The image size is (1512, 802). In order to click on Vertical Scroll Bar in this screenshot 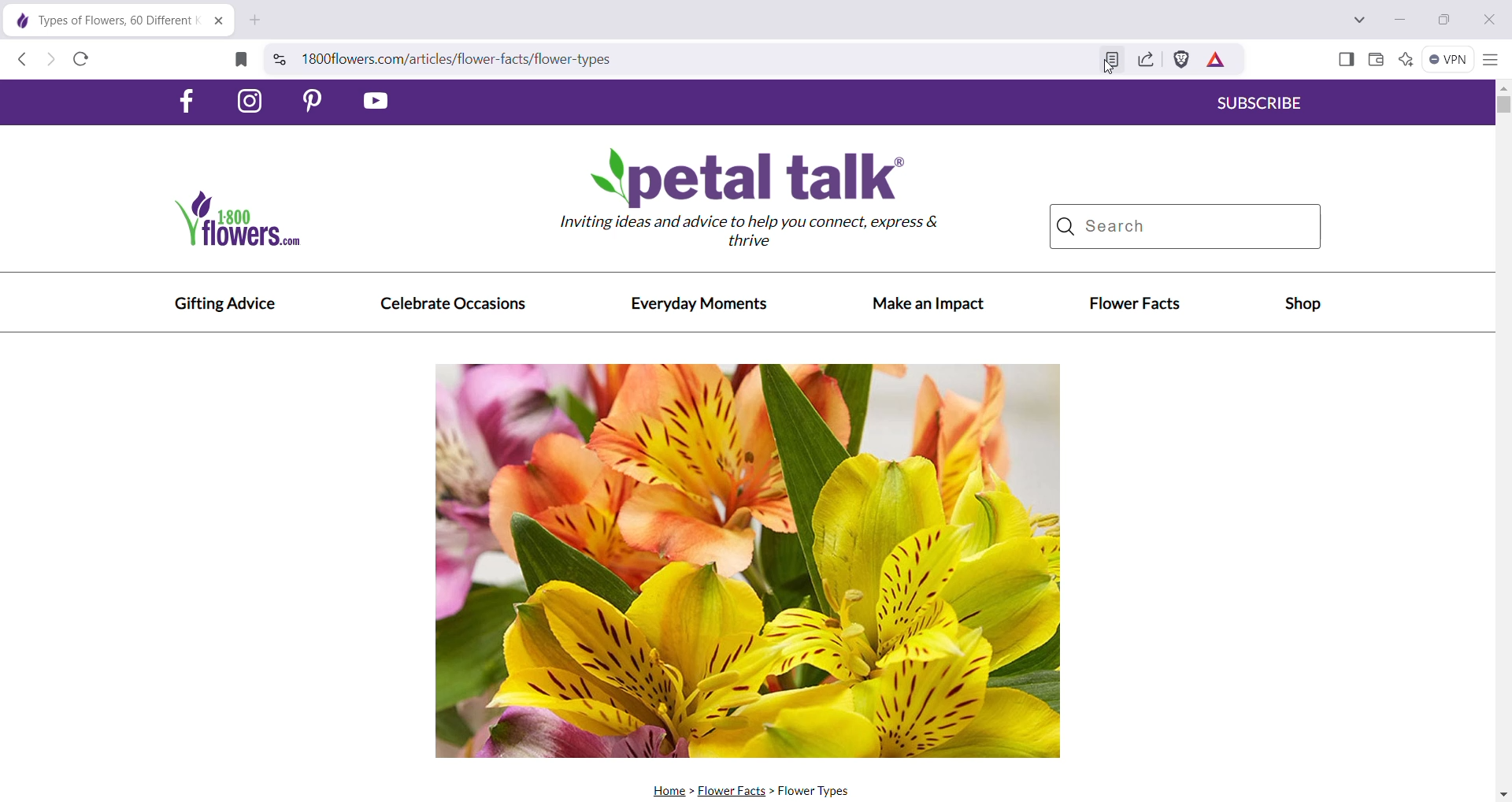, I will do `click(1503, 440)`.